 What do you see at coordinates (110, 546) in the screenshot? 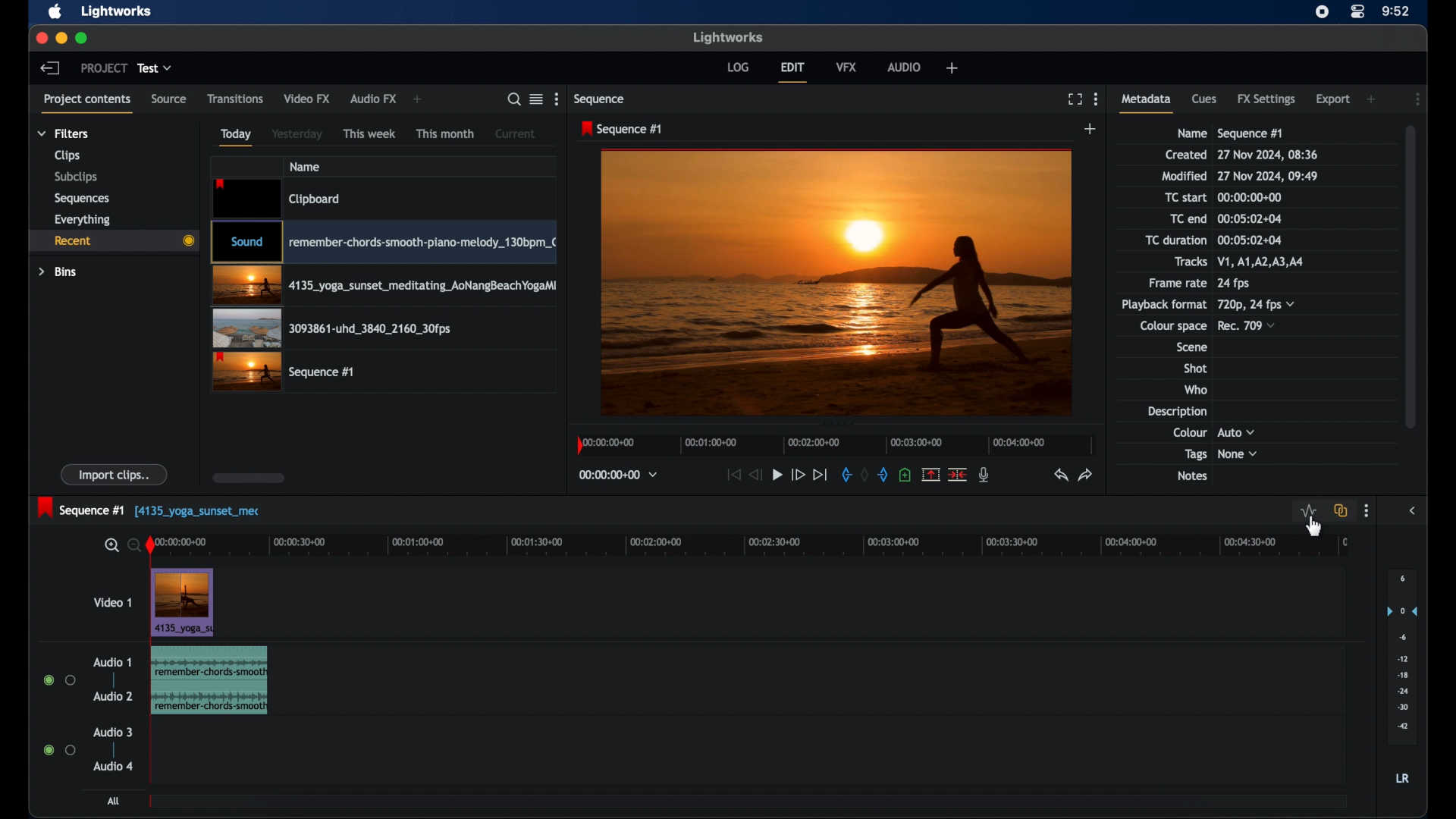
I see `zoom in` at bounding box center [110, 546].